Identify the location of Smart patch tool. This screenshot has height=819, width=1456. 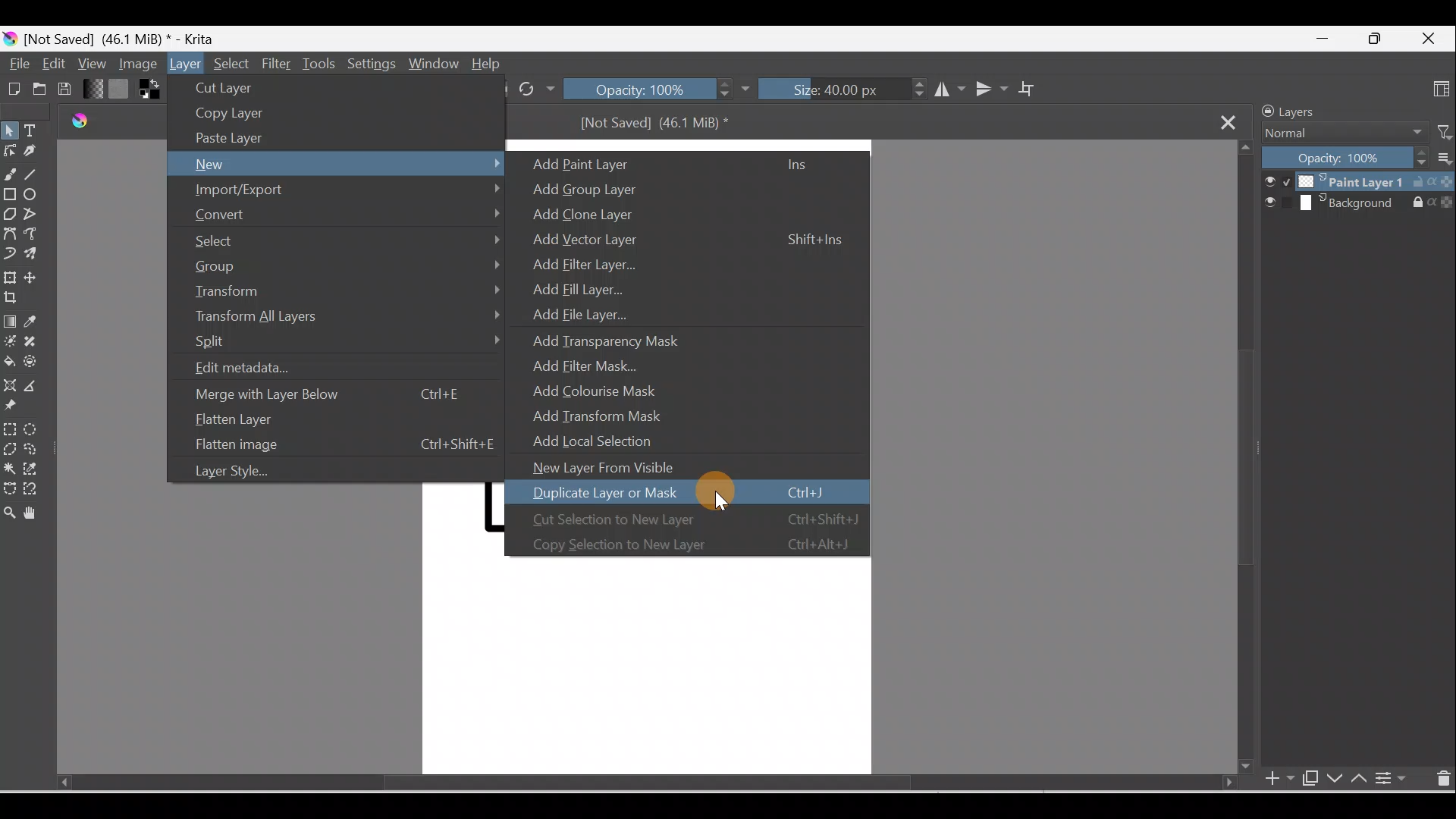
(39, 341).